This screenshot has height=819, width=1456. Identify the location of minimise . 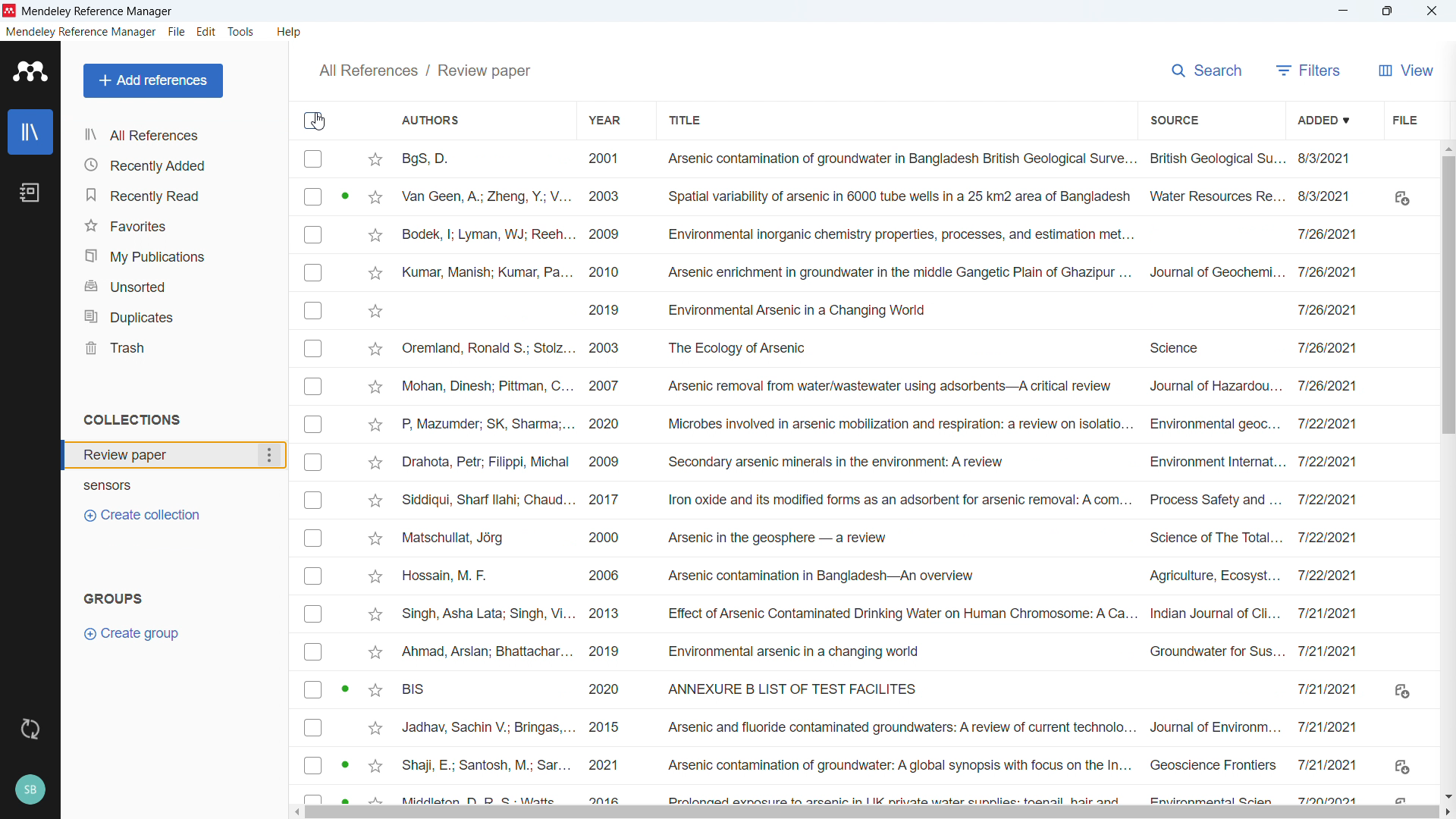
(1346, 11).